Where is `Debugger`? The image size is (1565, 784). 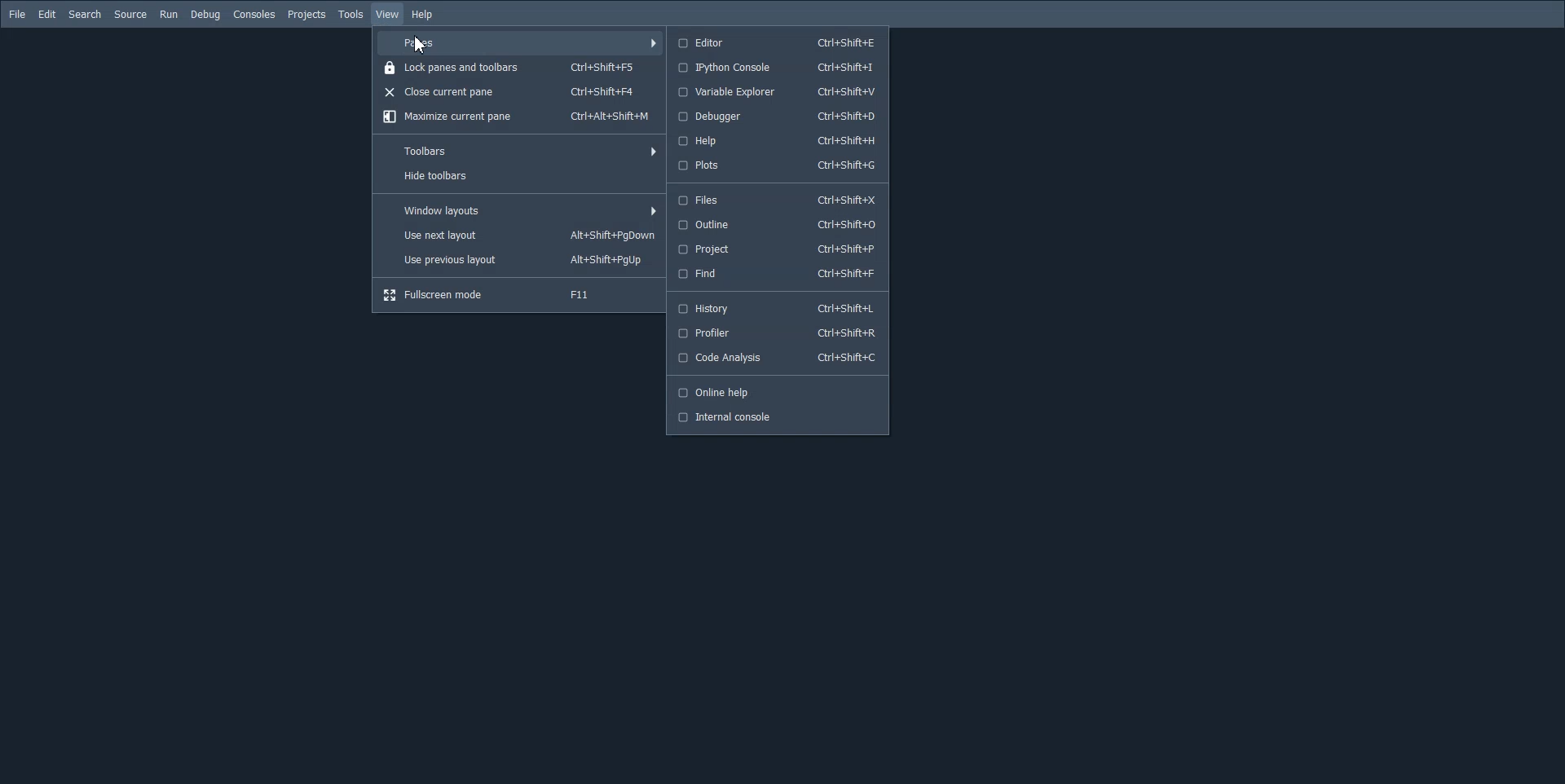
Debugger is located at coordinates (778, 117).